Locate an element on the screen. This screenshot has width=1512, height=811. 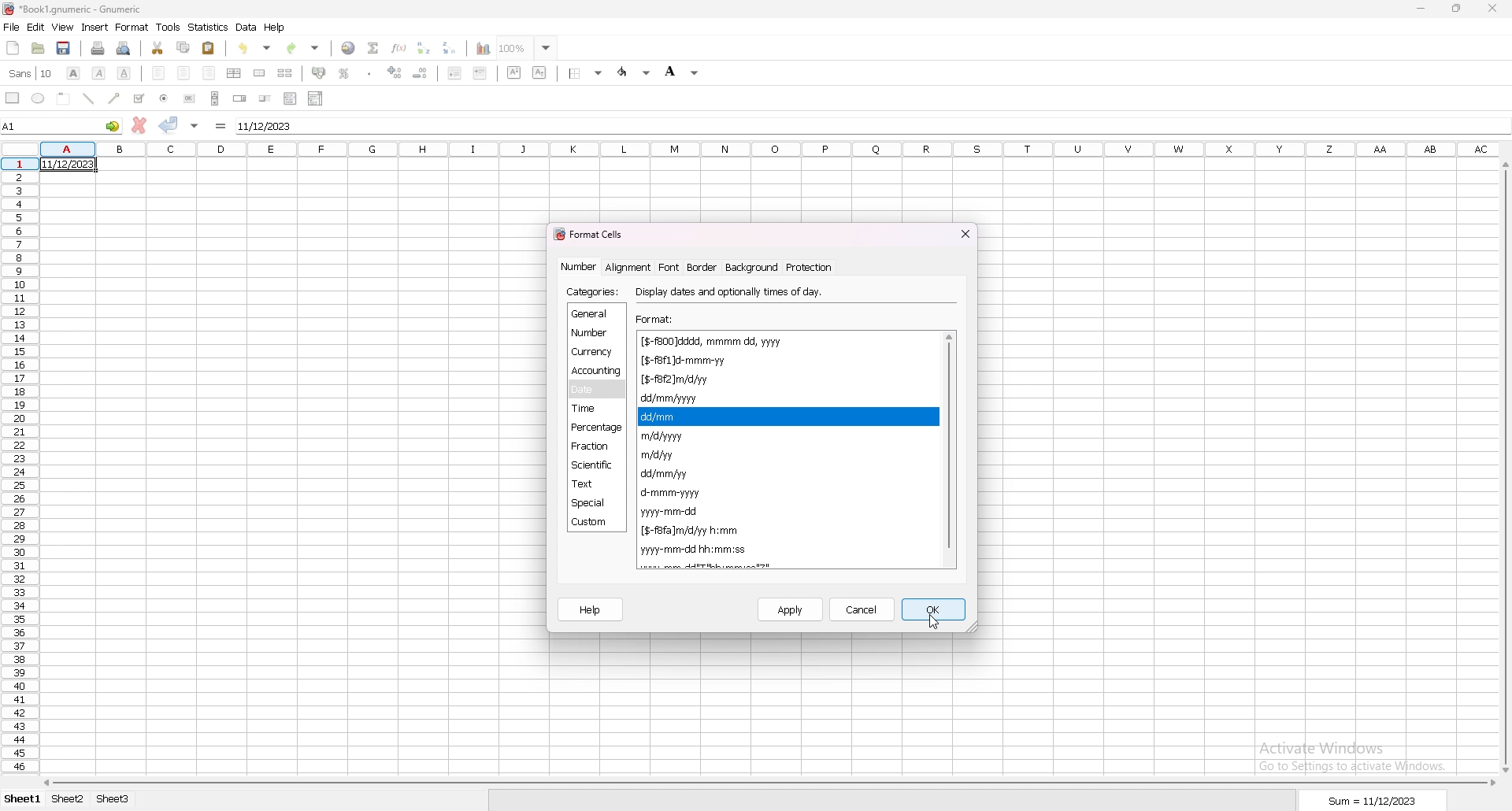
undo is located at coordinates (255, 48).